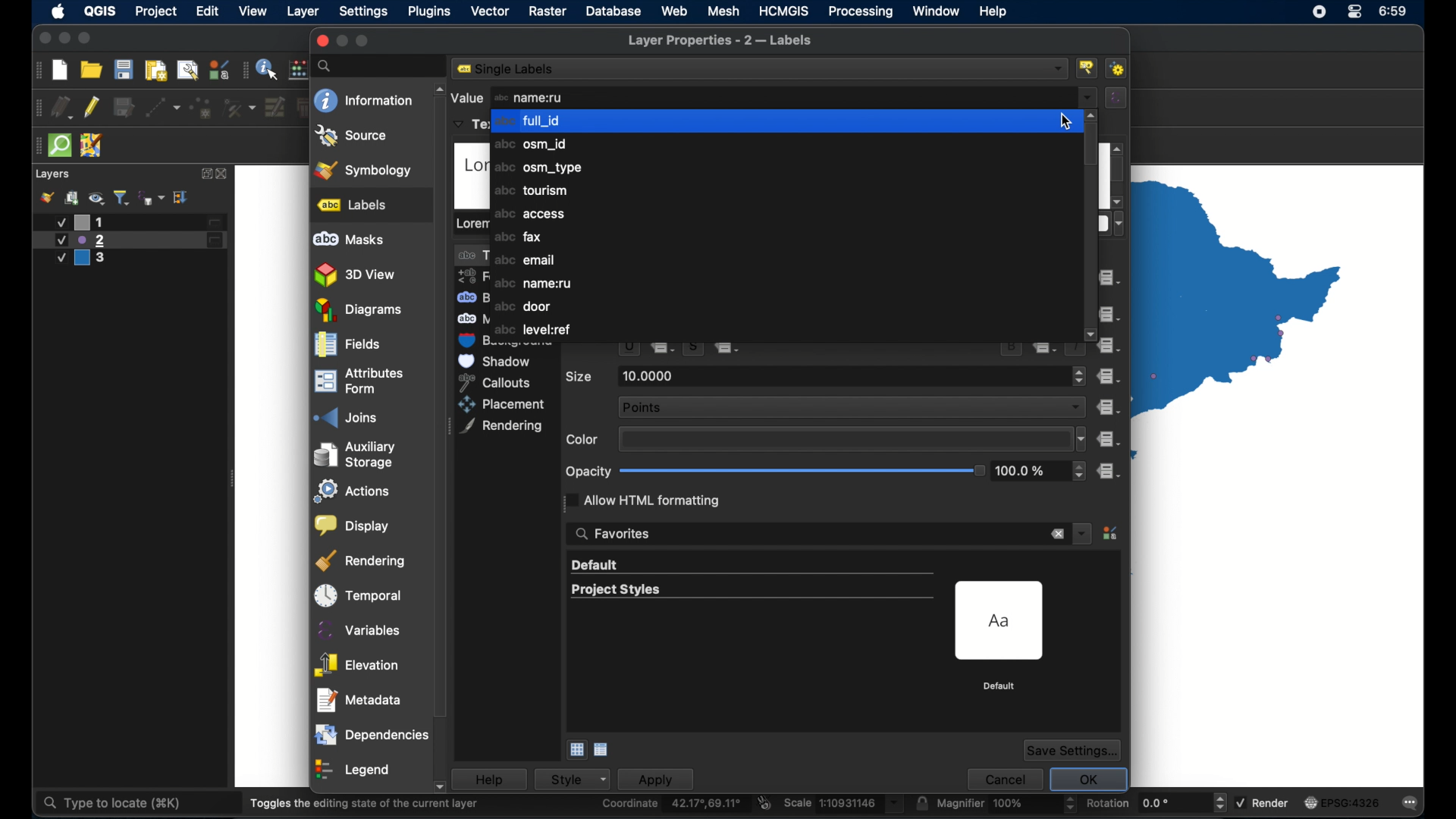 This screenshot has height=819, width=1456. I want to click on render, so click(1262, 801).